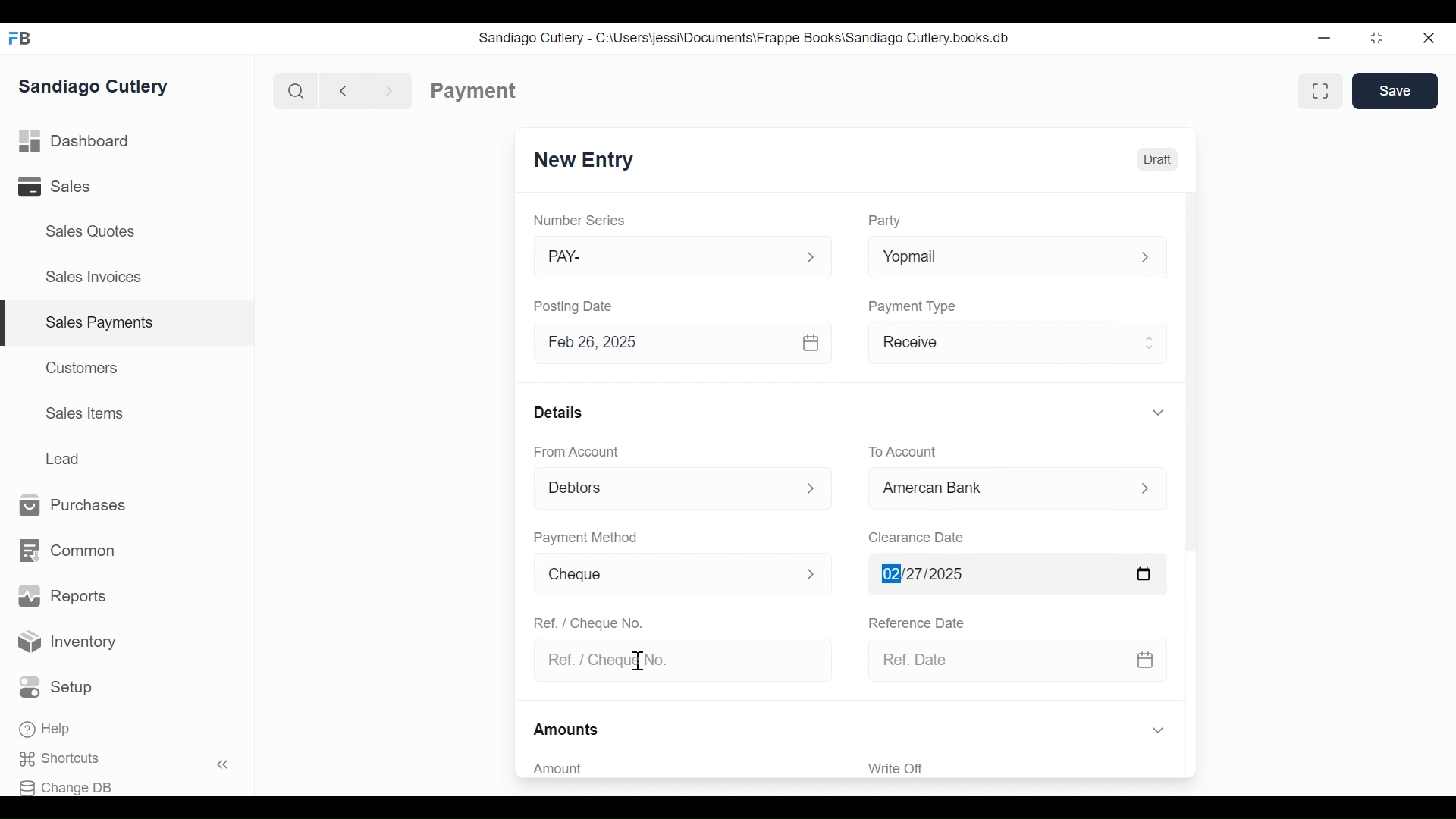 Image resolution: width=1456 pixels, height=819 pixels. I want to click on Payment Type, so click(913, 306).